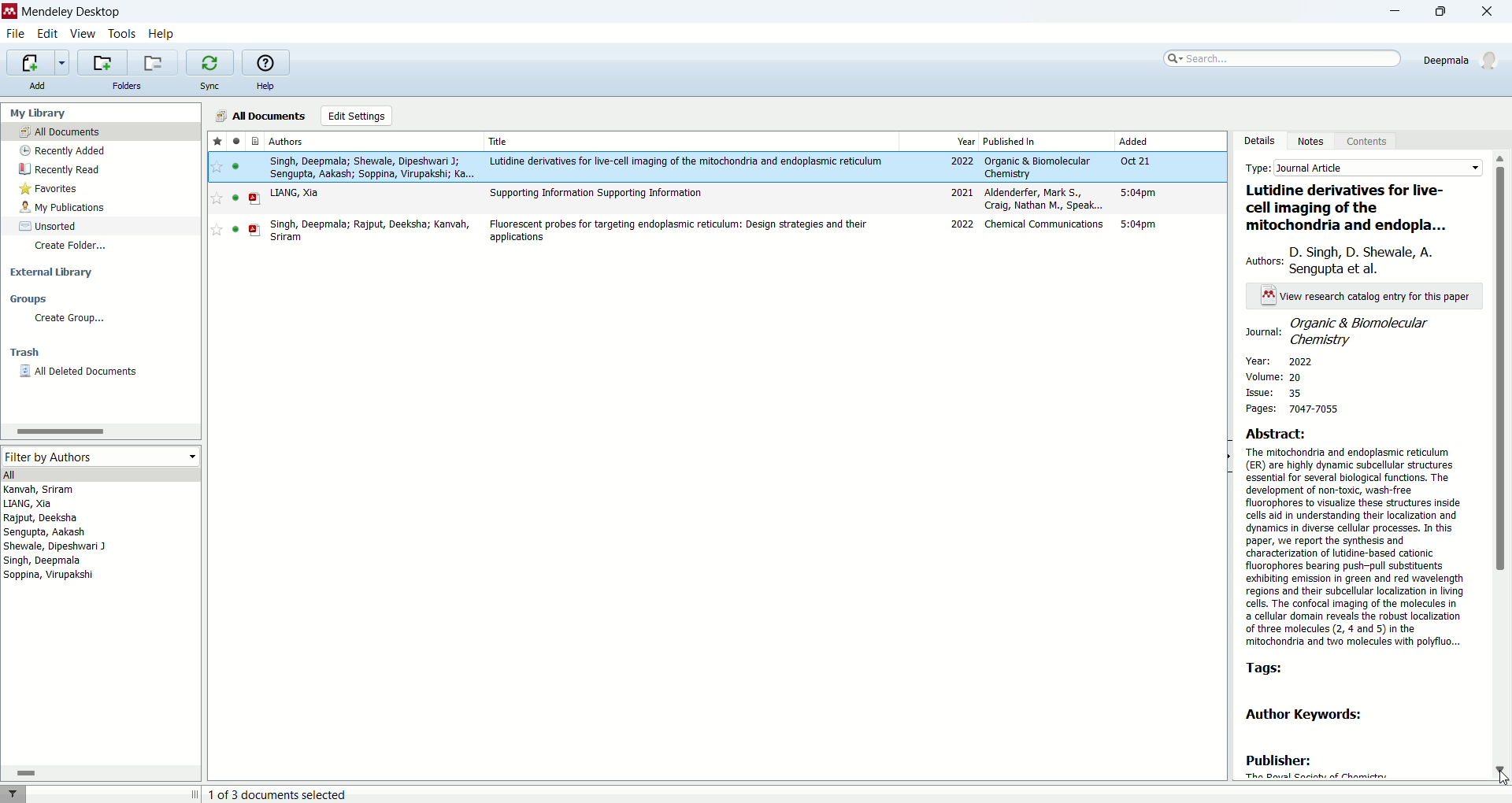  What do you see at coordinates (195, 794) in the screenshot?
I see `toggle expand/contract` at bounding box center [195, 794].